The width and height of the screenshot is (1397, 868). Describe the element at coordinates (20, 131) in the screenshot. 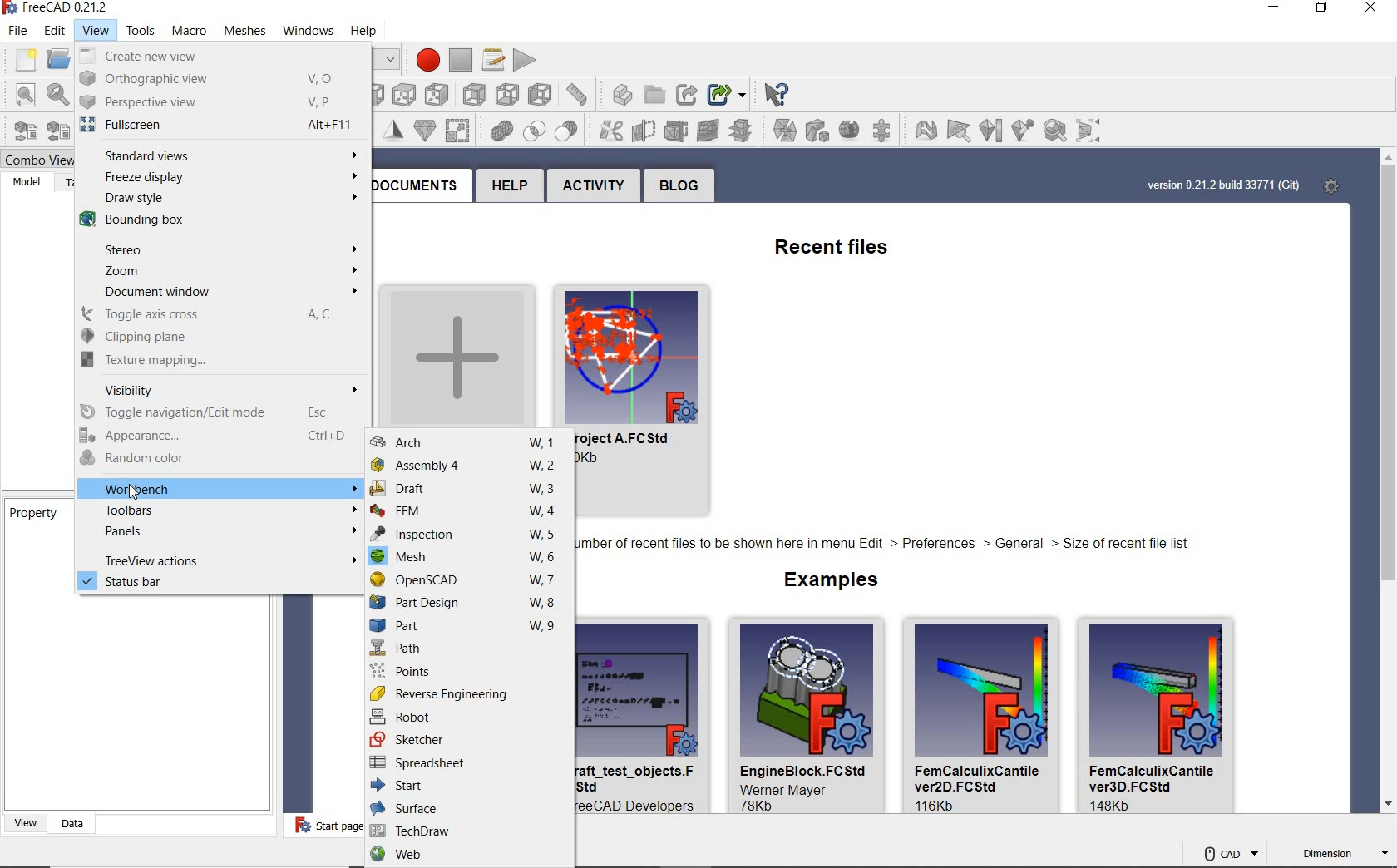

I see `import mesh` at that location.